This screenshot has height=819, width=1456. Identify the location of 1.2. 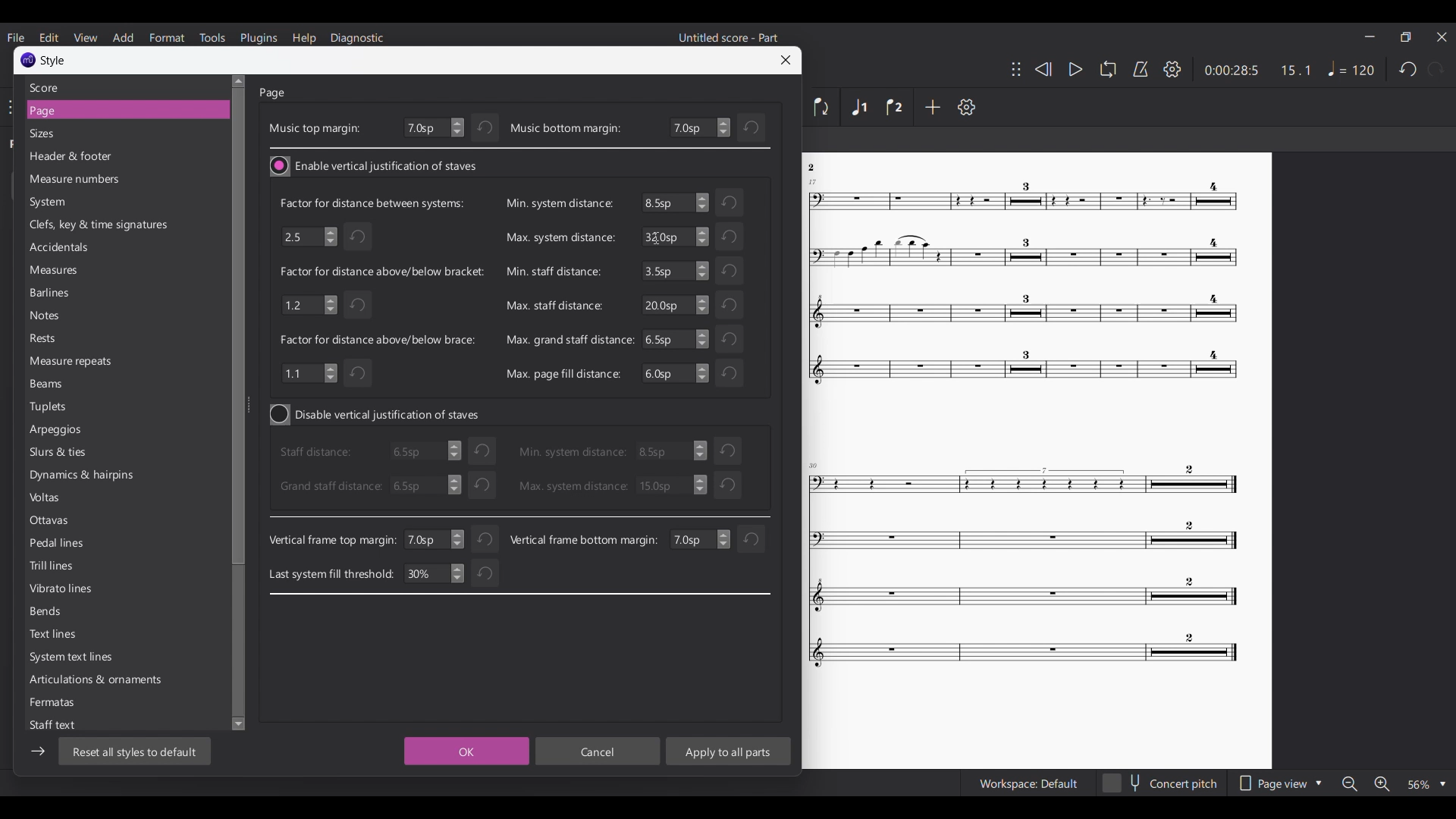
(308, 303).